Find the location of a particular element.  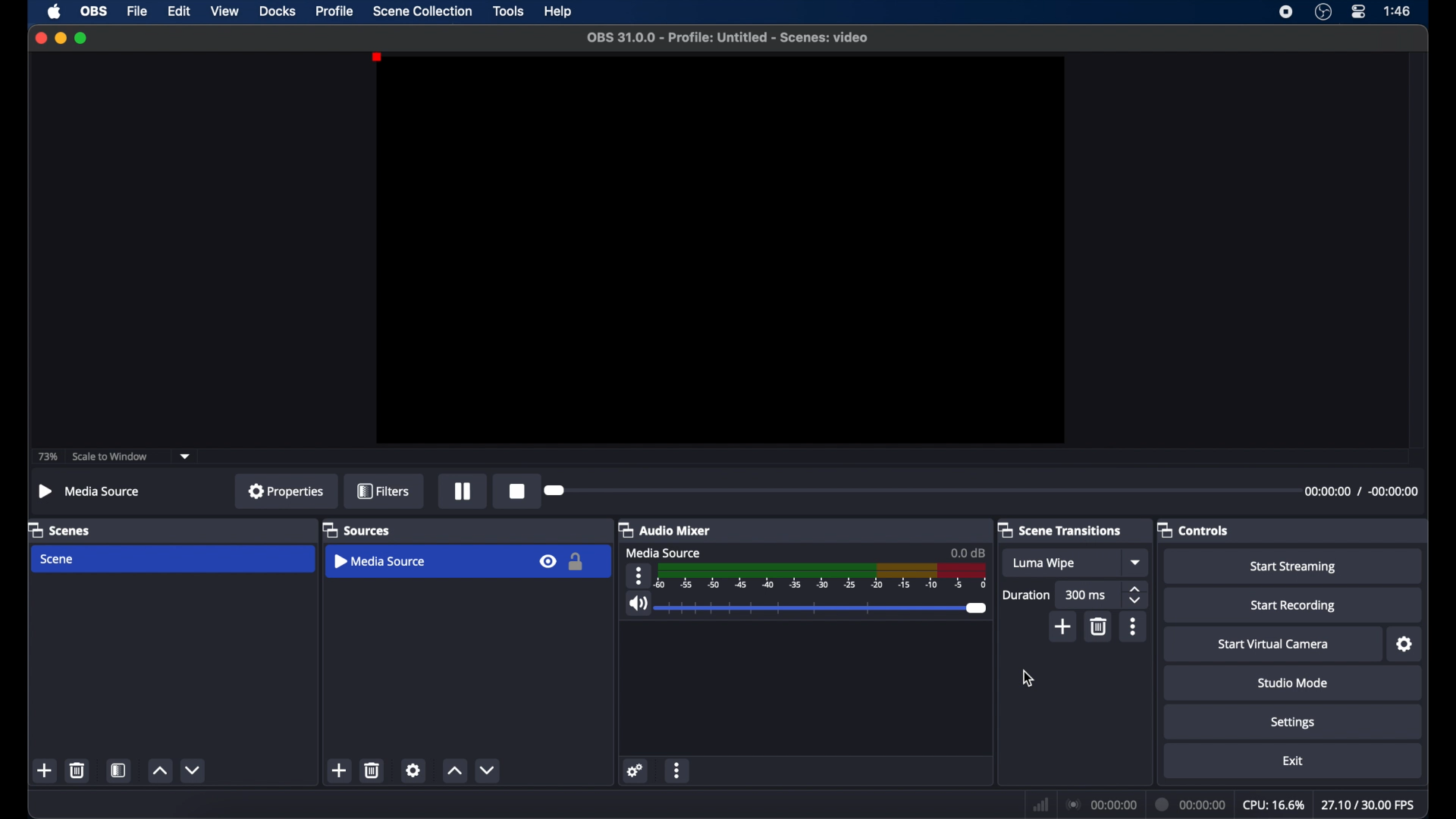

start recording is located at coordinates (1295, 606).